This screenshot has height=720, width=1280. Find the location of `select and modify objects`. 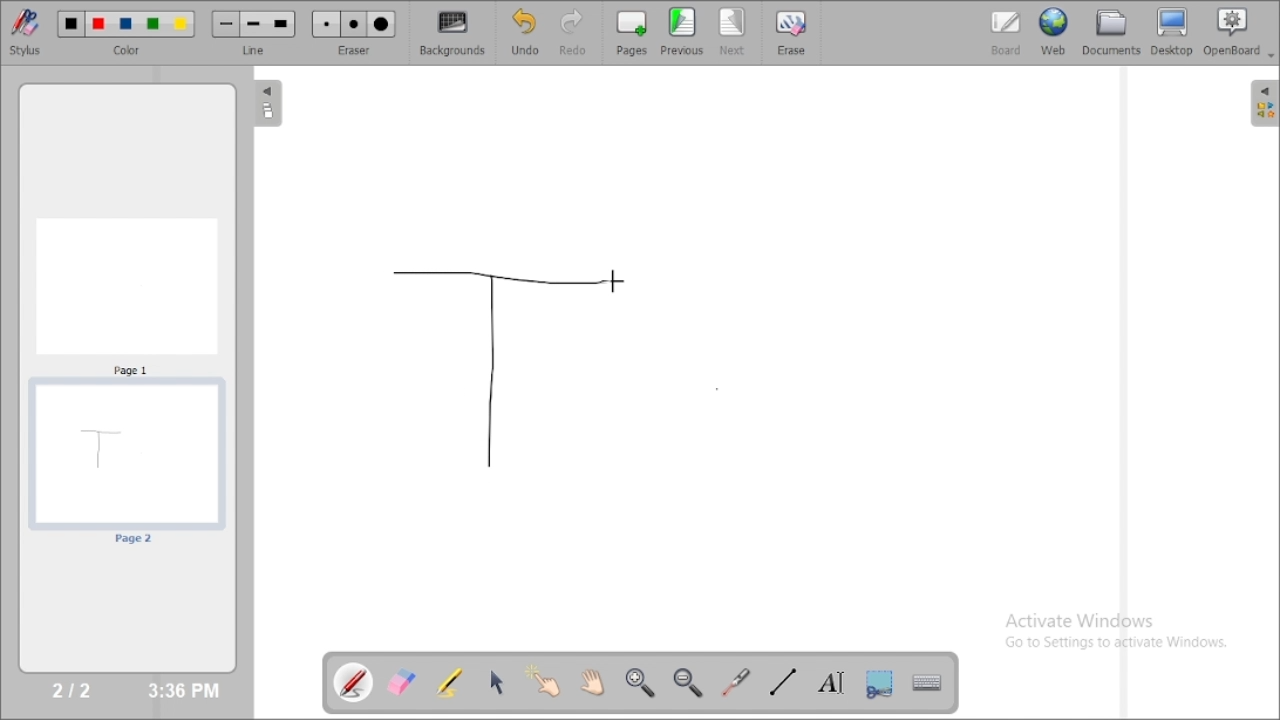

select and modify objects is located at coordinates (497, 682).